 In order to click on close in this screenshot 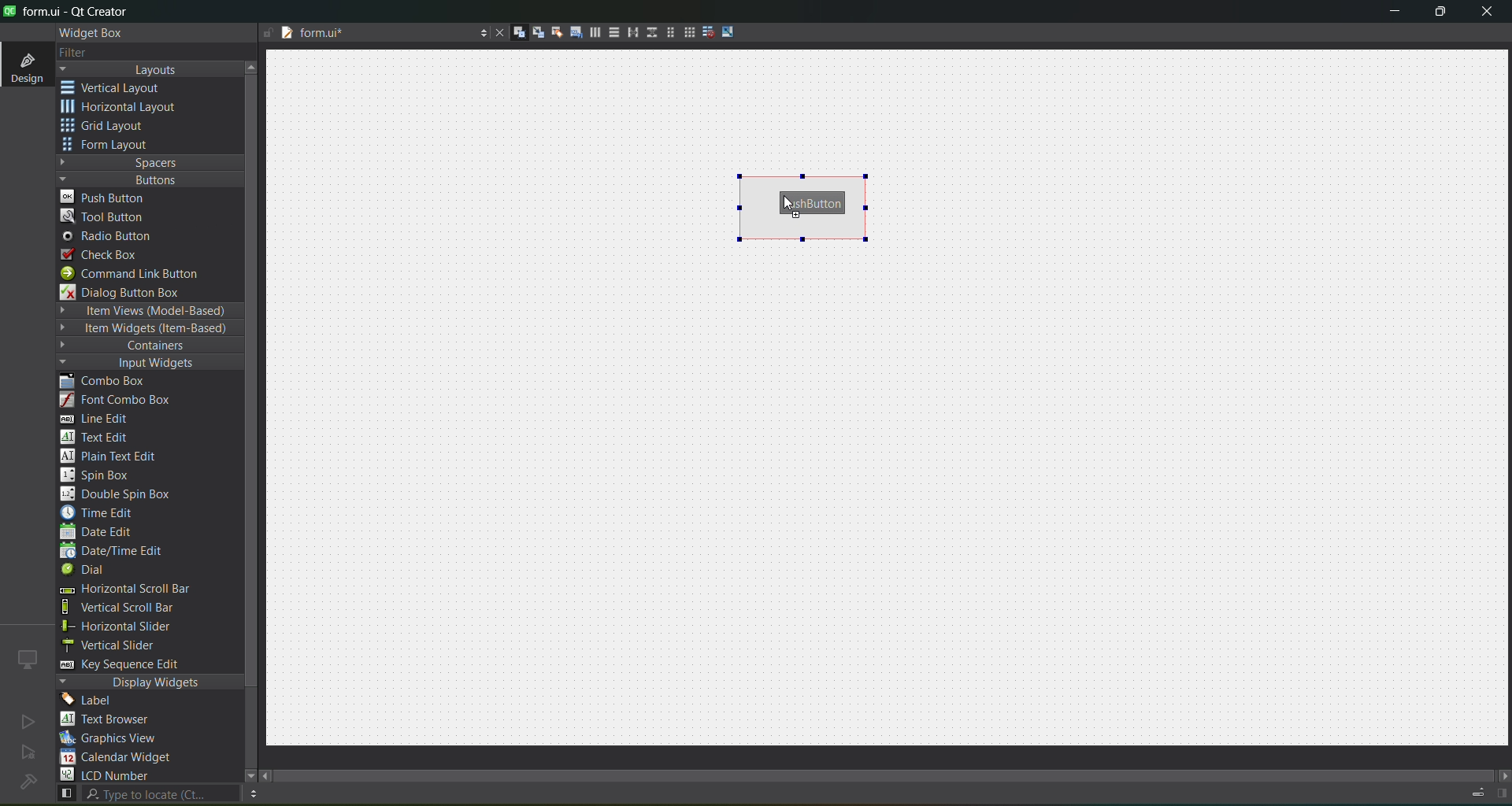, I will do `click(1487, 13)`.